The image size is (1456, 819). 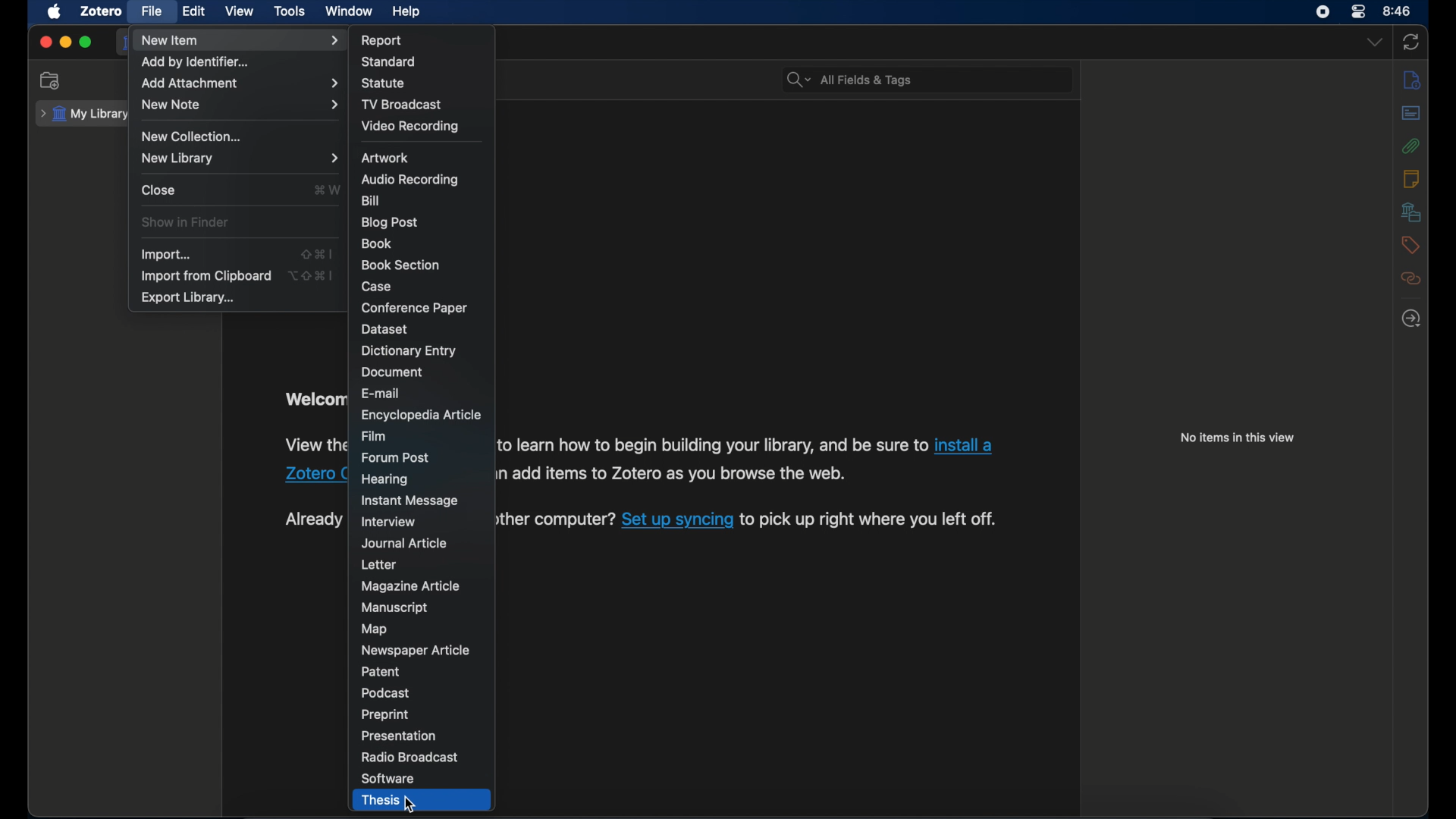 I want to click on sync, so click(x=1410, y=42).